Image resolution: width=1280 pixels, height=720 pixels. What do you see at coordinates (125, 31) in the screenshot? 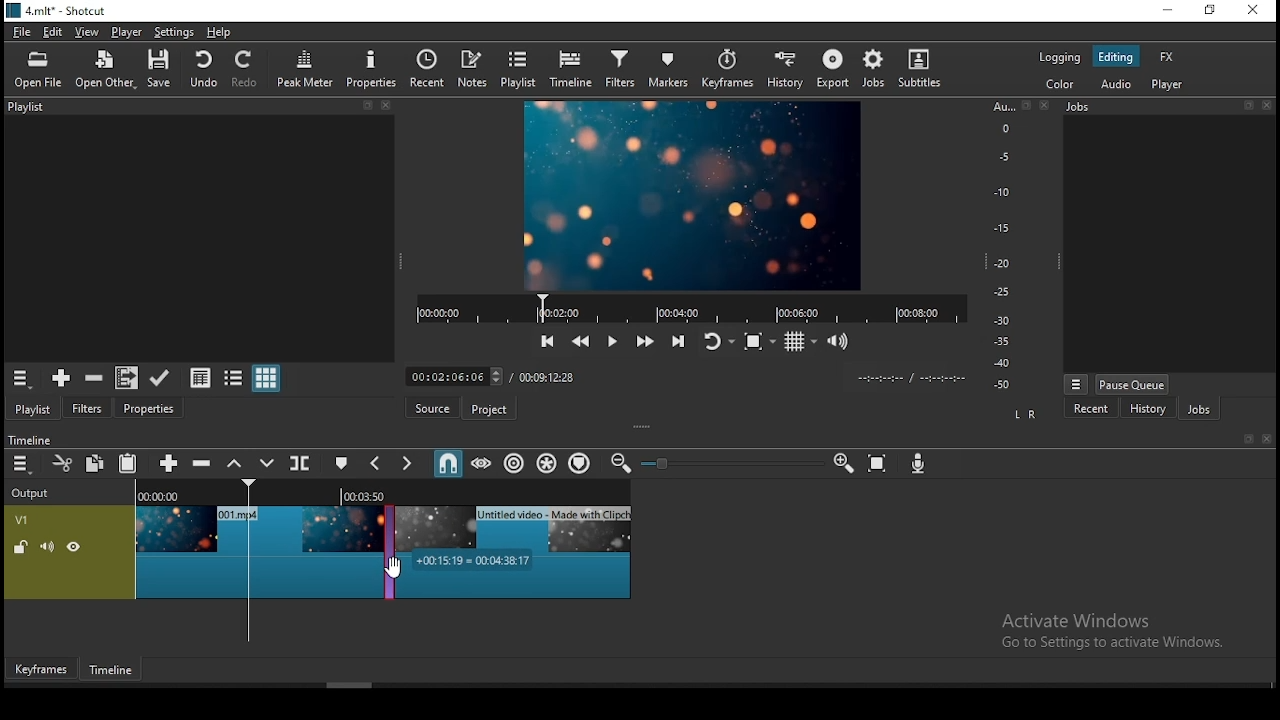
I see `player` at bounding box center [125, 31].